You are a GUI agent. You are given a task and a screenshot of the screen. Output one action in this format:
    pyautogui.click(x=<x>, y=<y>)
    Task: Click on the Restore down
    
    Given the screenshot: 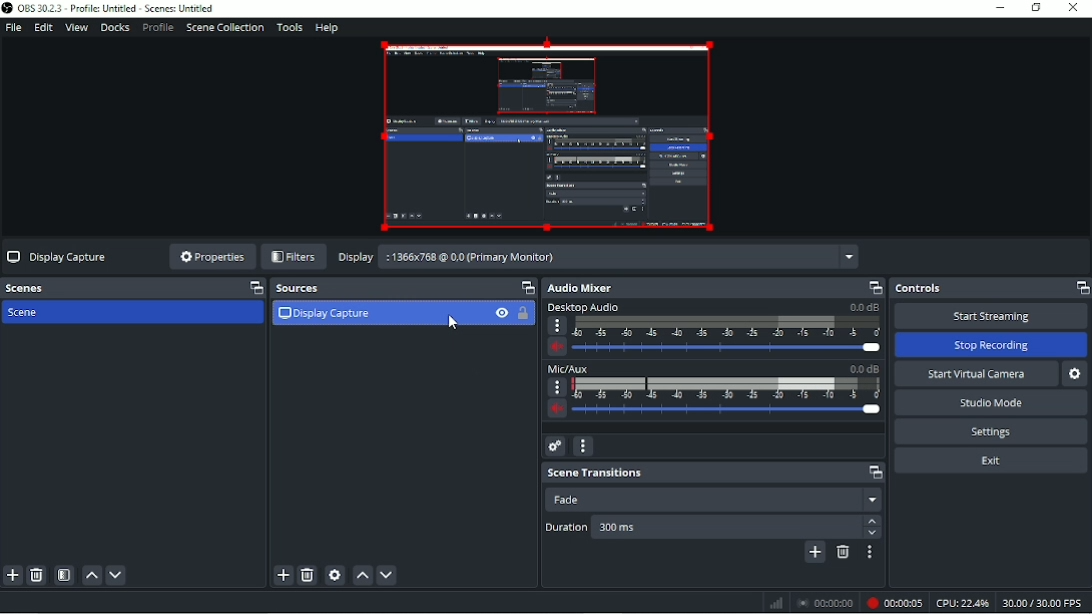 What is the action you would take?
    pyautogui.click(x=1036, y=8)
    